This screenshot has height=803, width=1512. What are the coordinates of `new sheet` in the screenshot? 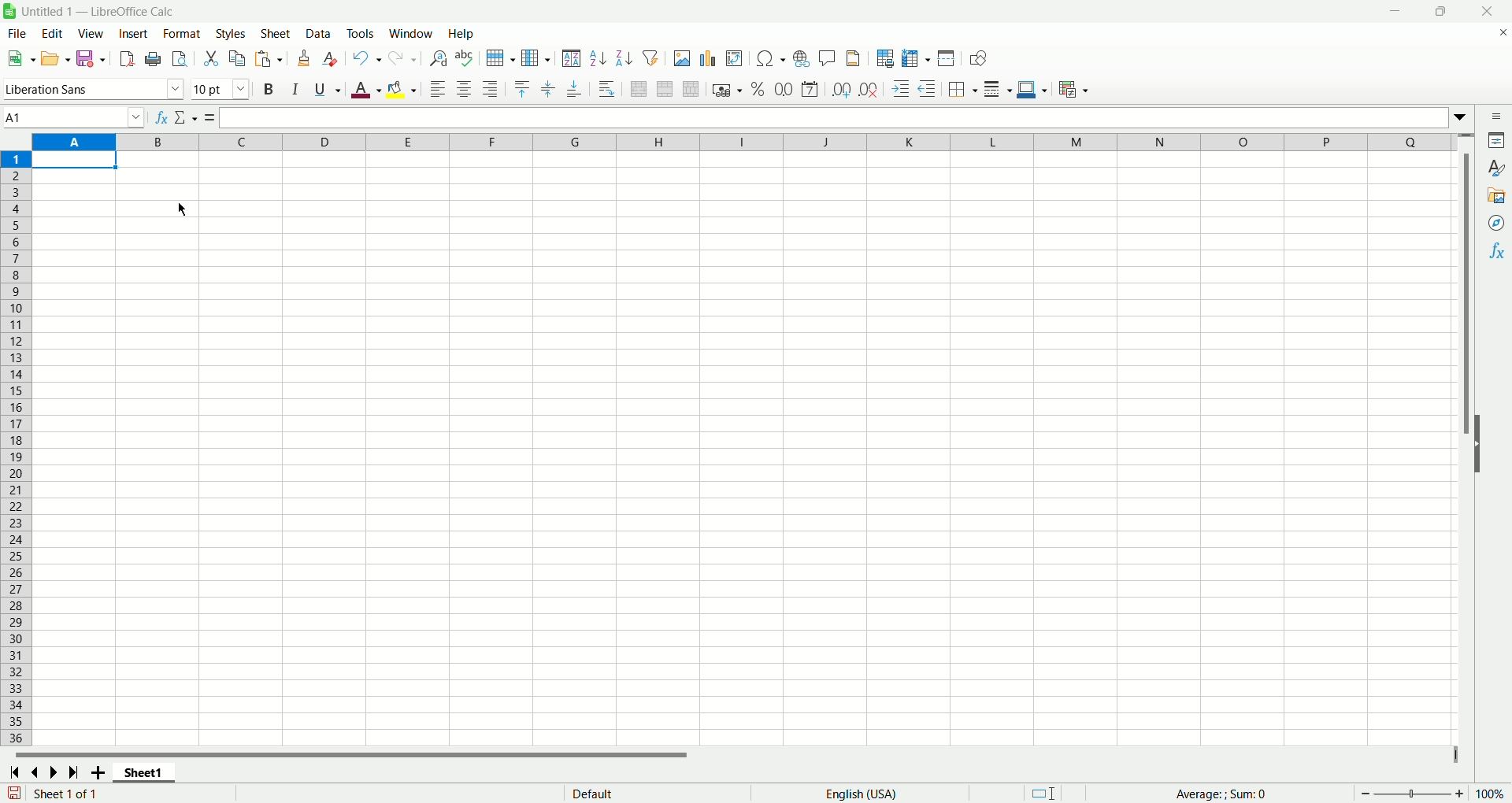 It's located at (101, 772).